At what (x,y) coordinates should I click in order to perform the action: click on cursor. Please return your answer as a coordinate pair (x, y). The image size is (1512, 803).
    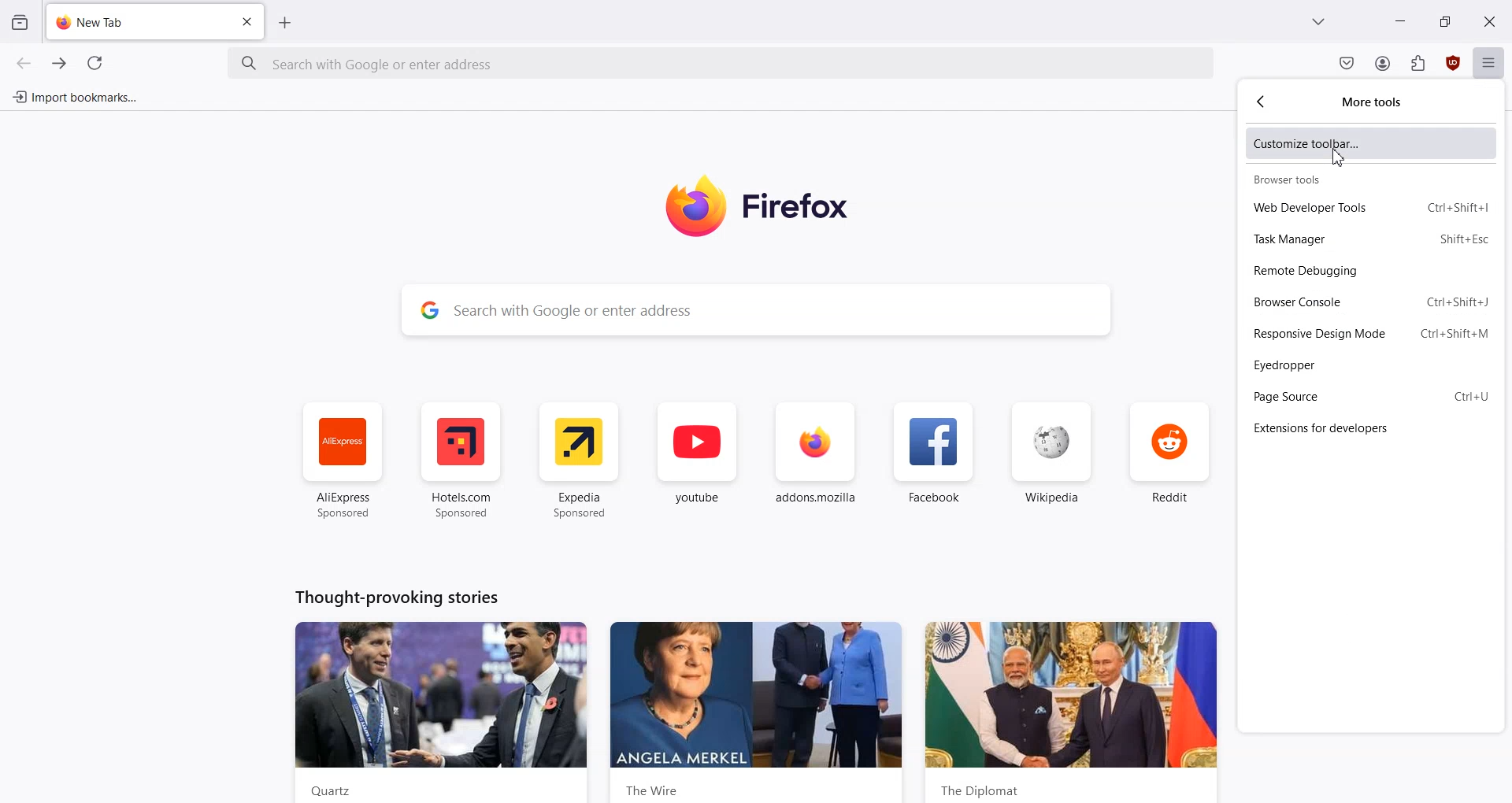
    Looking at the image, I should click on (1336, 160).